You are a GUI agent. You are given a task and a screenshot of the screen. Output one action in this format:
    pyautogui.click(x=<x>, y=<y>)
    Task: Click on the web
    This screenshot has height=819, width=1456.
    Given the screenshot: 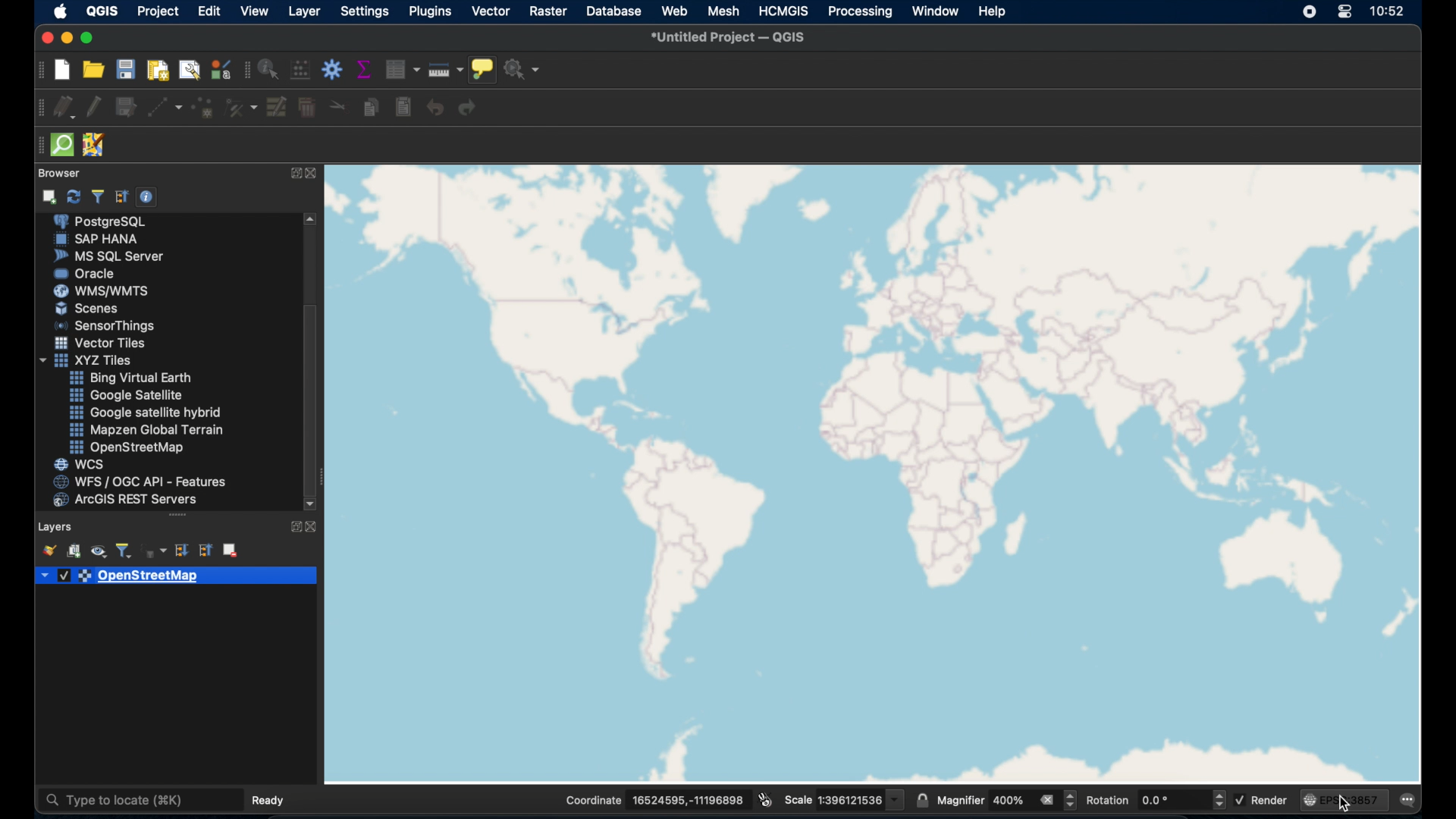 What is the action you would take?
    pyautogui.click(x=676, y=11)
    